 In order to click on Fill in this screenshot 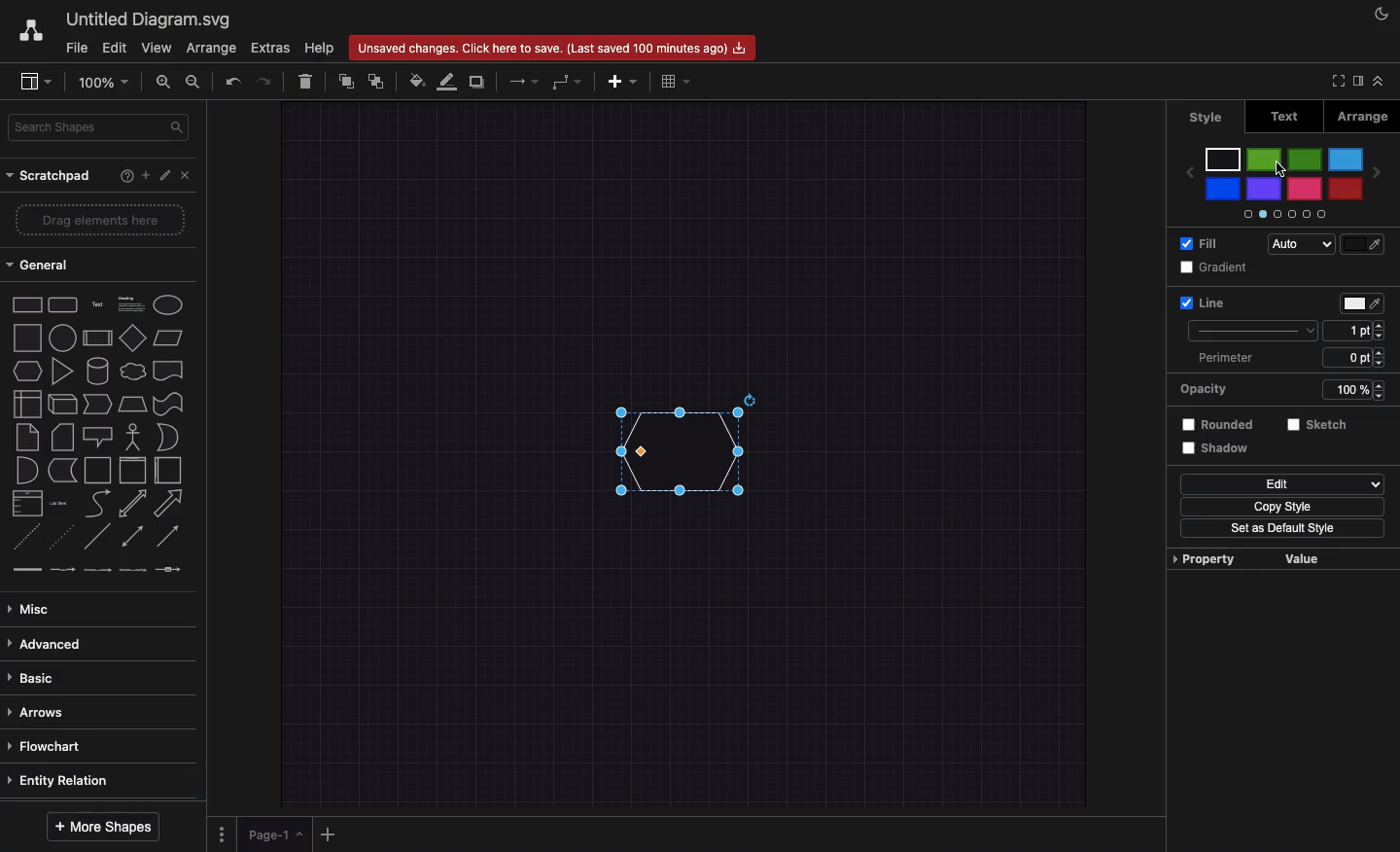, I will do `click(1198, 247)`.